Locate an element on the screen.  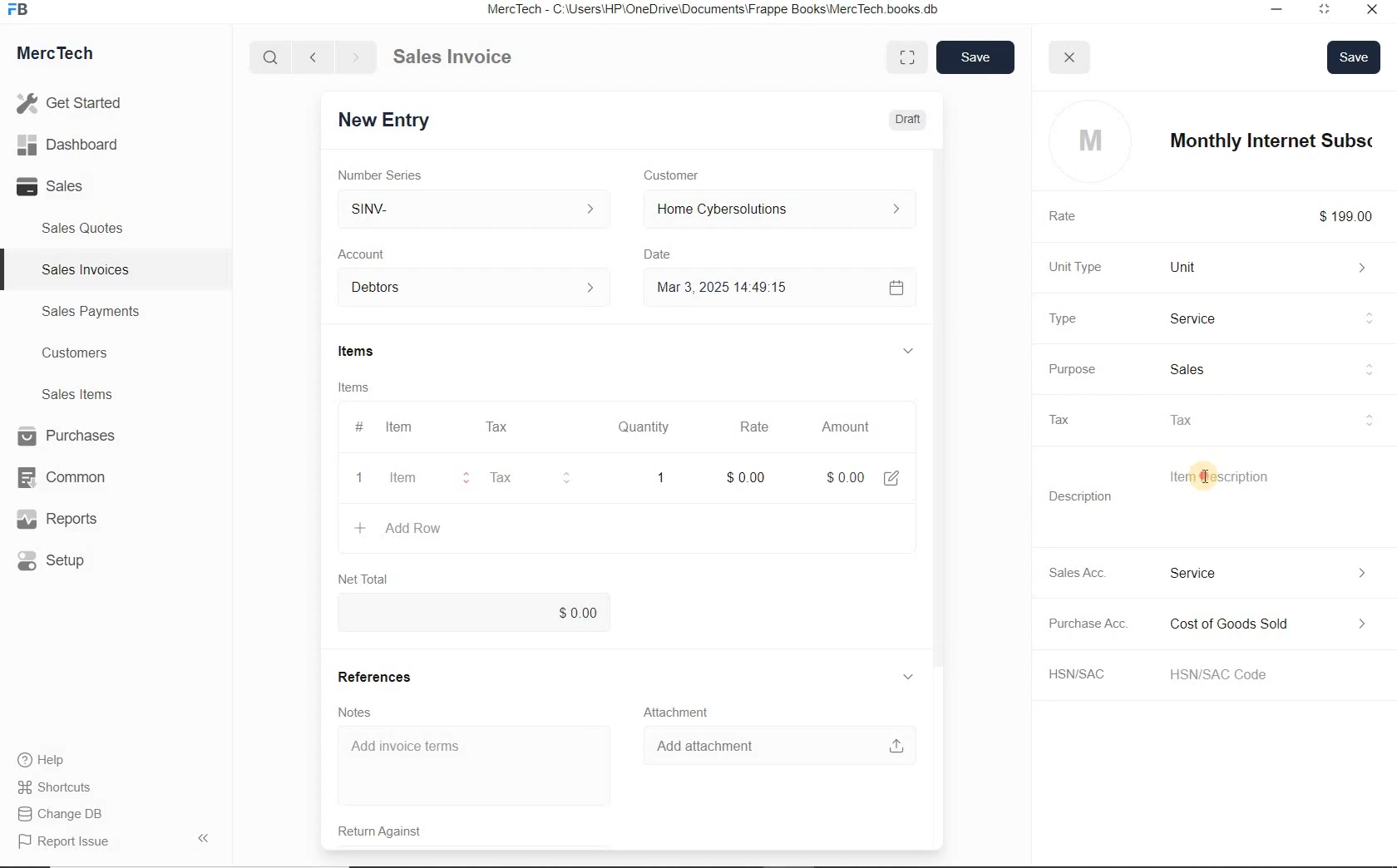
Number Series is located at coordinates (390, 173).